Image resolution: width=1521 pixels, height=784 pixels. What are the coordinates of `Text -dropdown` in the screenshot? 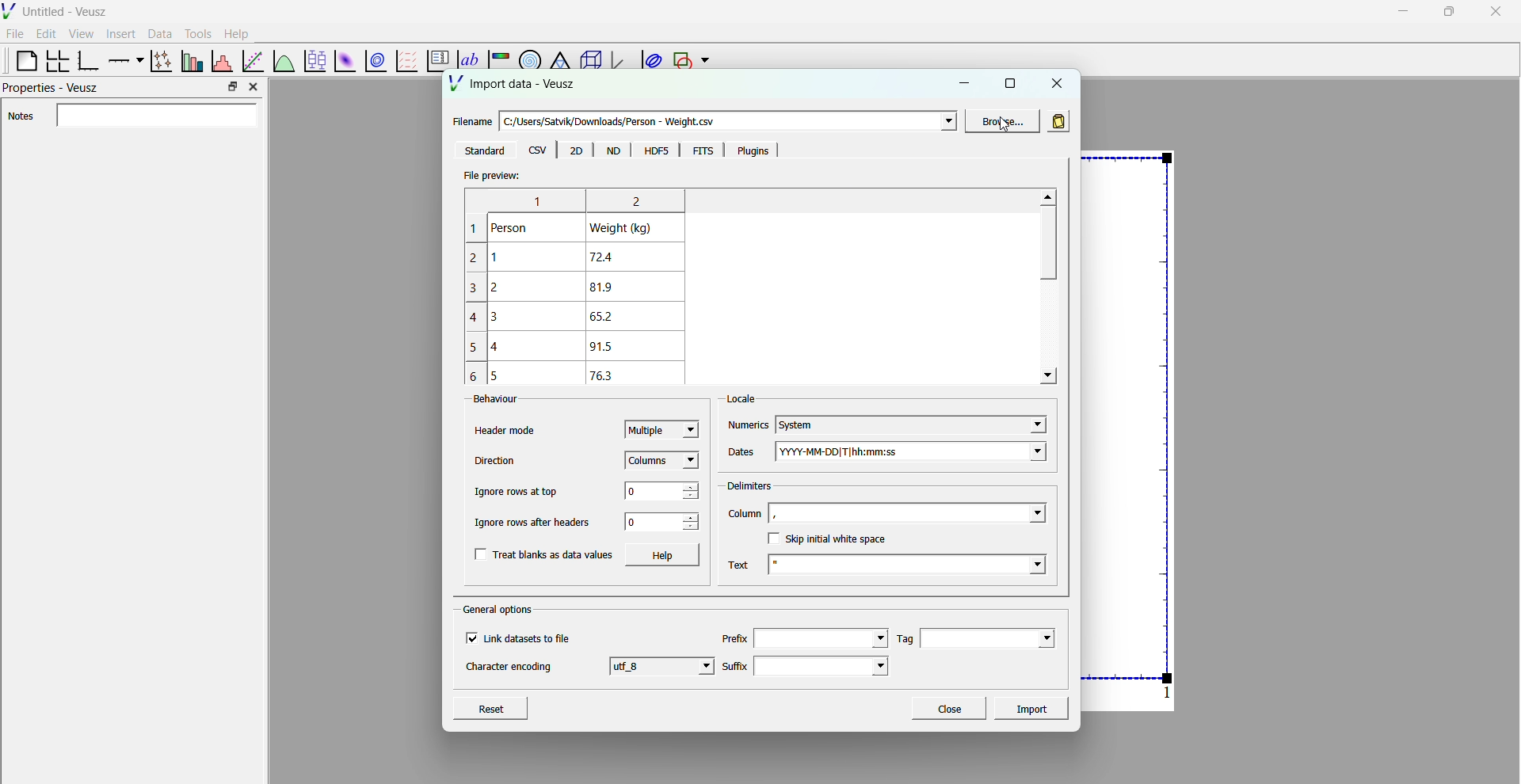 It's located at (921, 568).